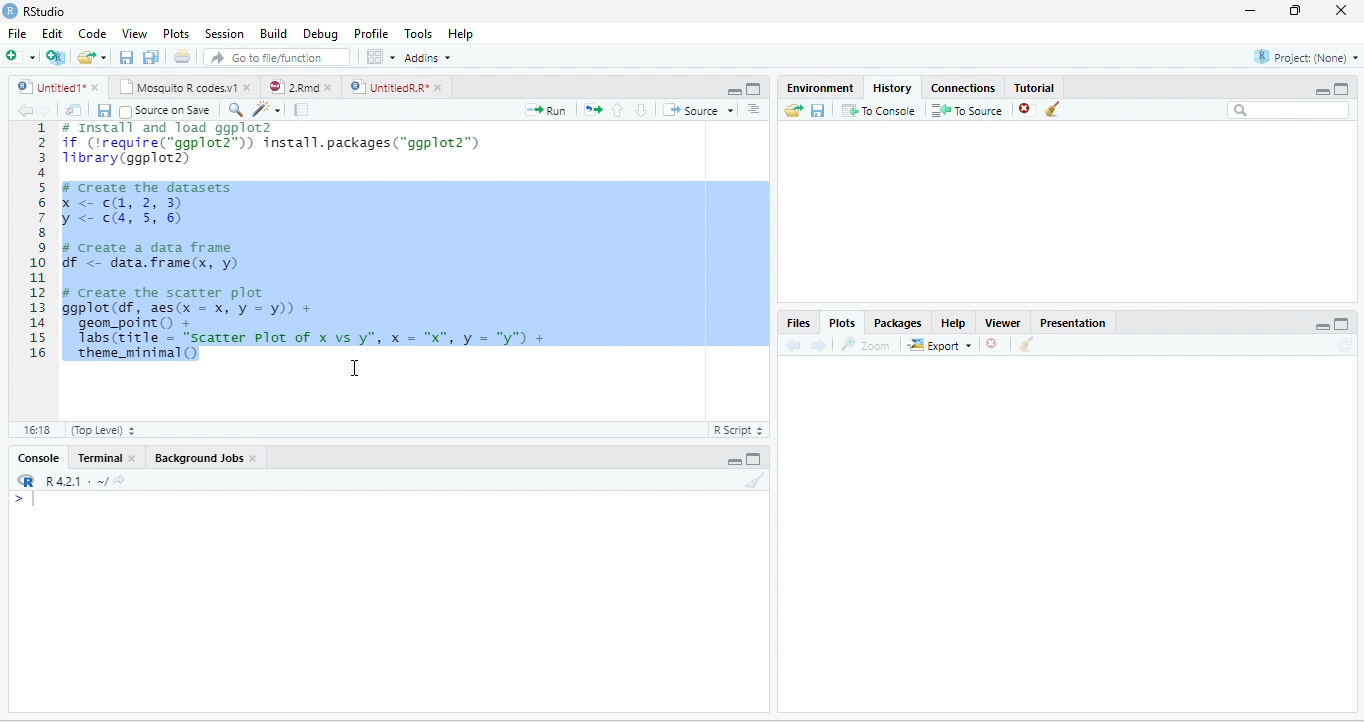 This screenshot has height=722, width=1364. I want to click on Print the current file, so click(182, 56).